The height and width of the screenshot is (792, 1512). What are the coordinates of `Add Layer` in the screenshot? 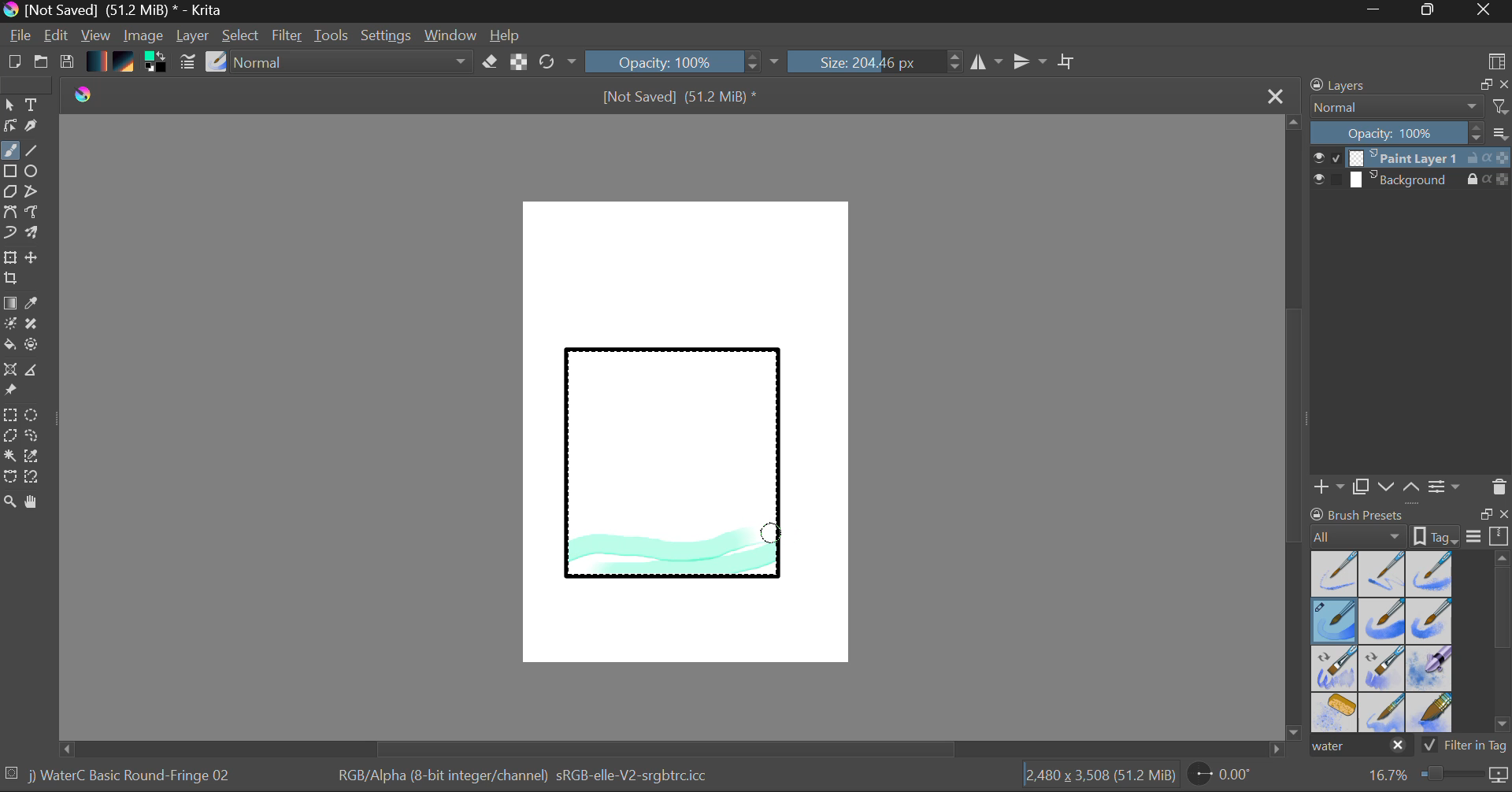 It's located at (1329, 487).